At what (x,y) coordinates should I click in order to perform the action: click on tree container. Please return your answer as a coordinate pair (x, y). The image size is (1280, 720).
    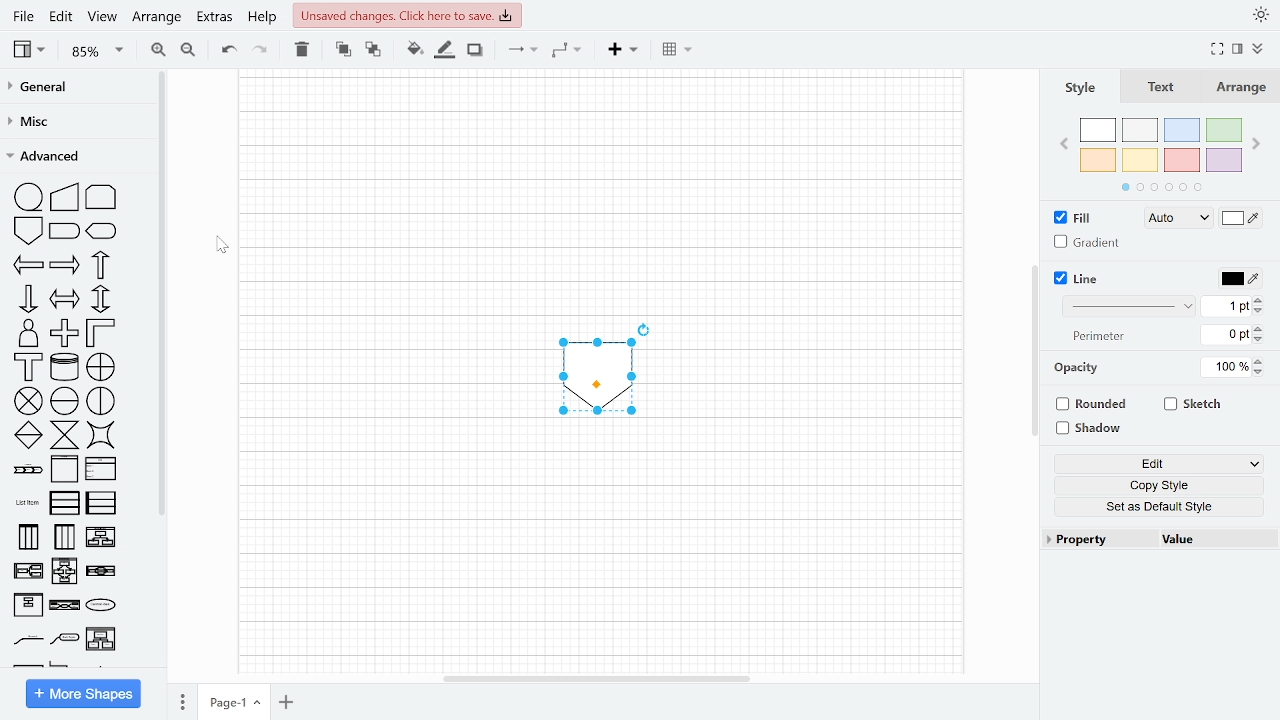
    Looking at the image, I should click on (102, 571).